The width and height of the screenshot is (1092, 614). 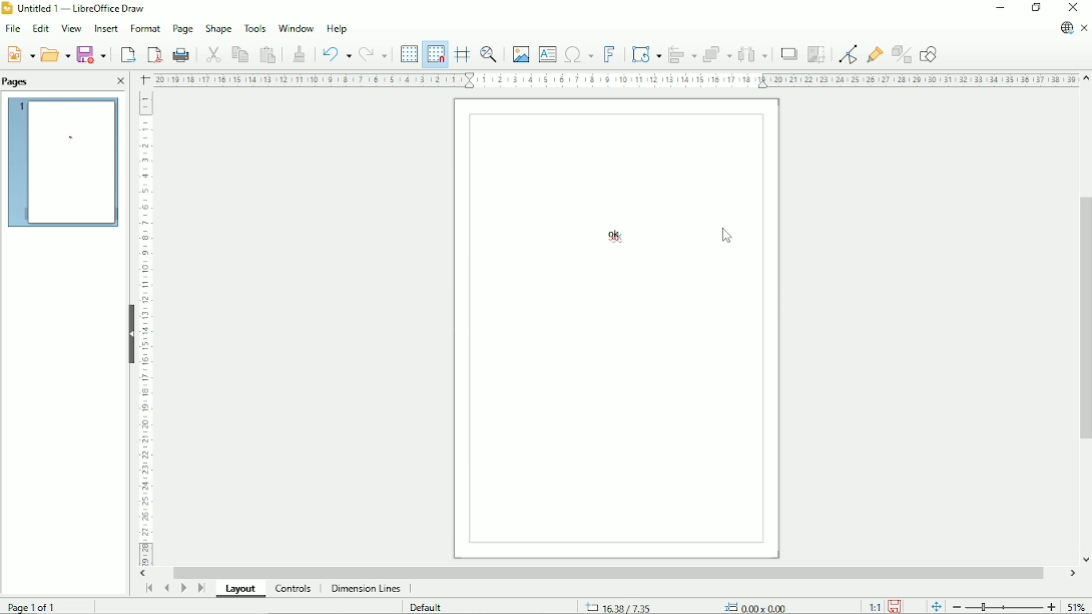 I want to click on 0.00x0.00, so click(x=759, y=606).